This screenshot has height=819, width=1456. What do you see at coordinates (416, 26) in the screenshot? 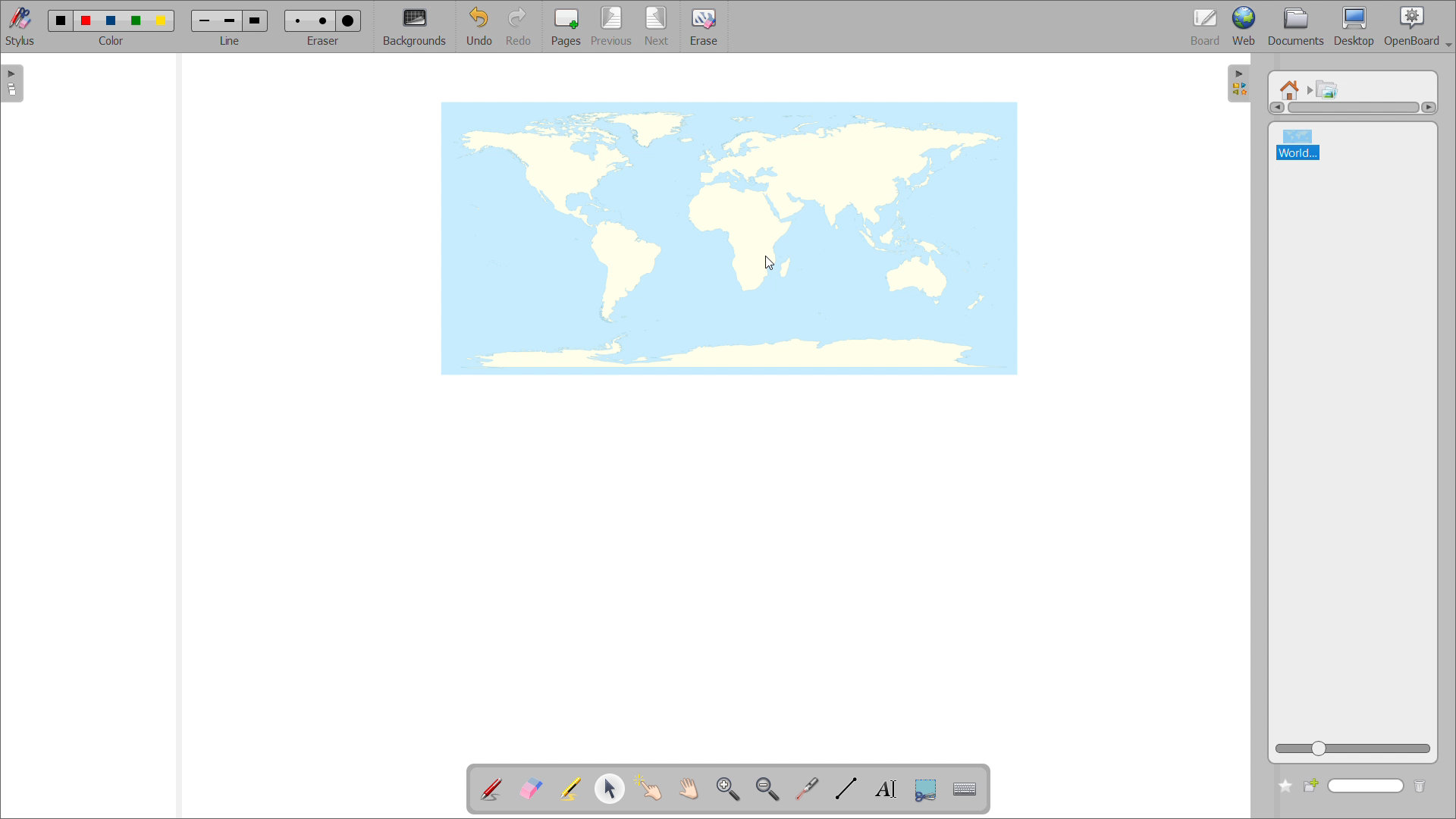
I see `backgrounds` at bounding box center [416, 26].